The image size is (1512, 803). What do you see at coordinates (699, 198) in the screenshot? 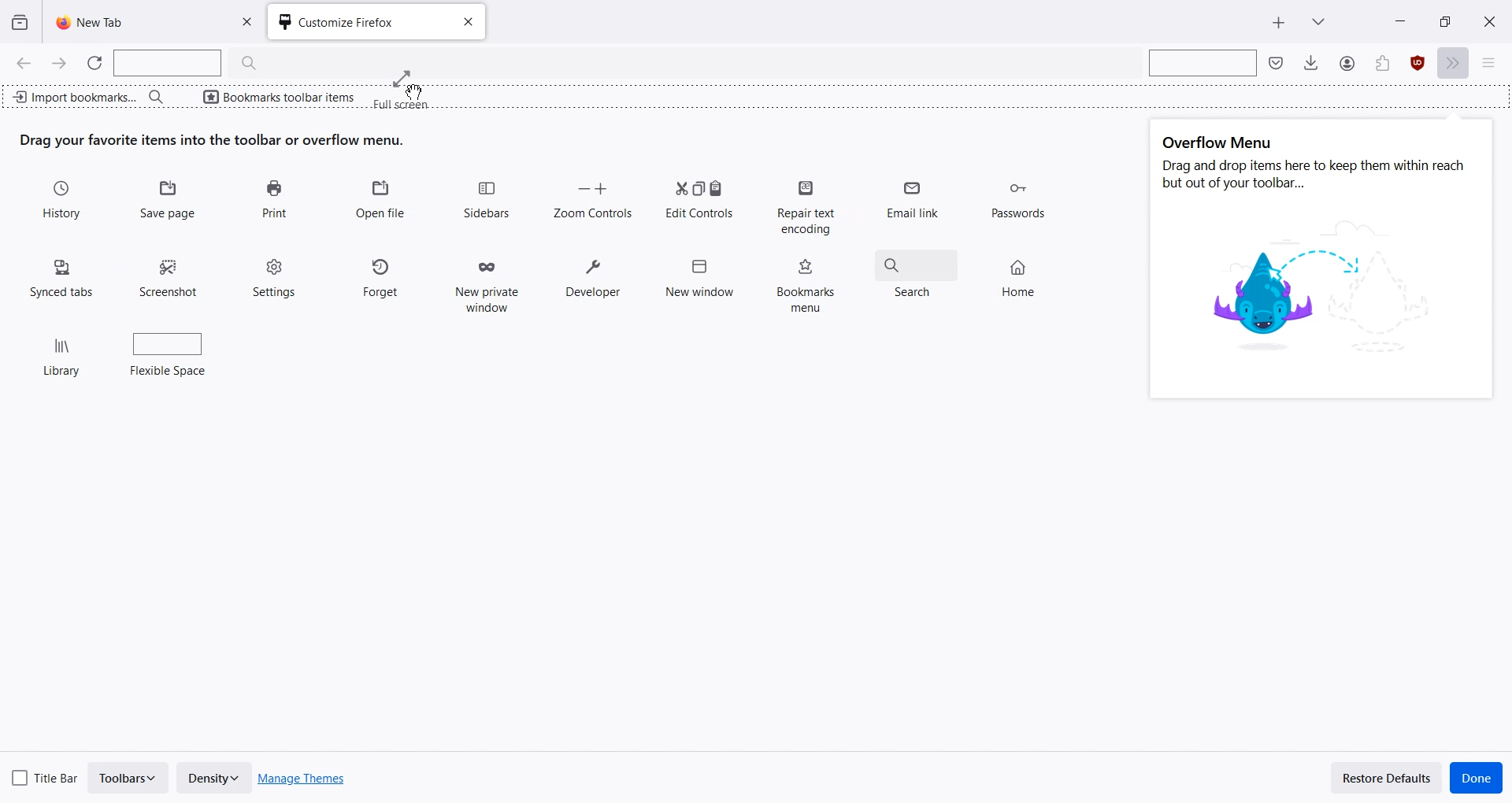
I see `Edit Controls` at bounding box center [699, 198].